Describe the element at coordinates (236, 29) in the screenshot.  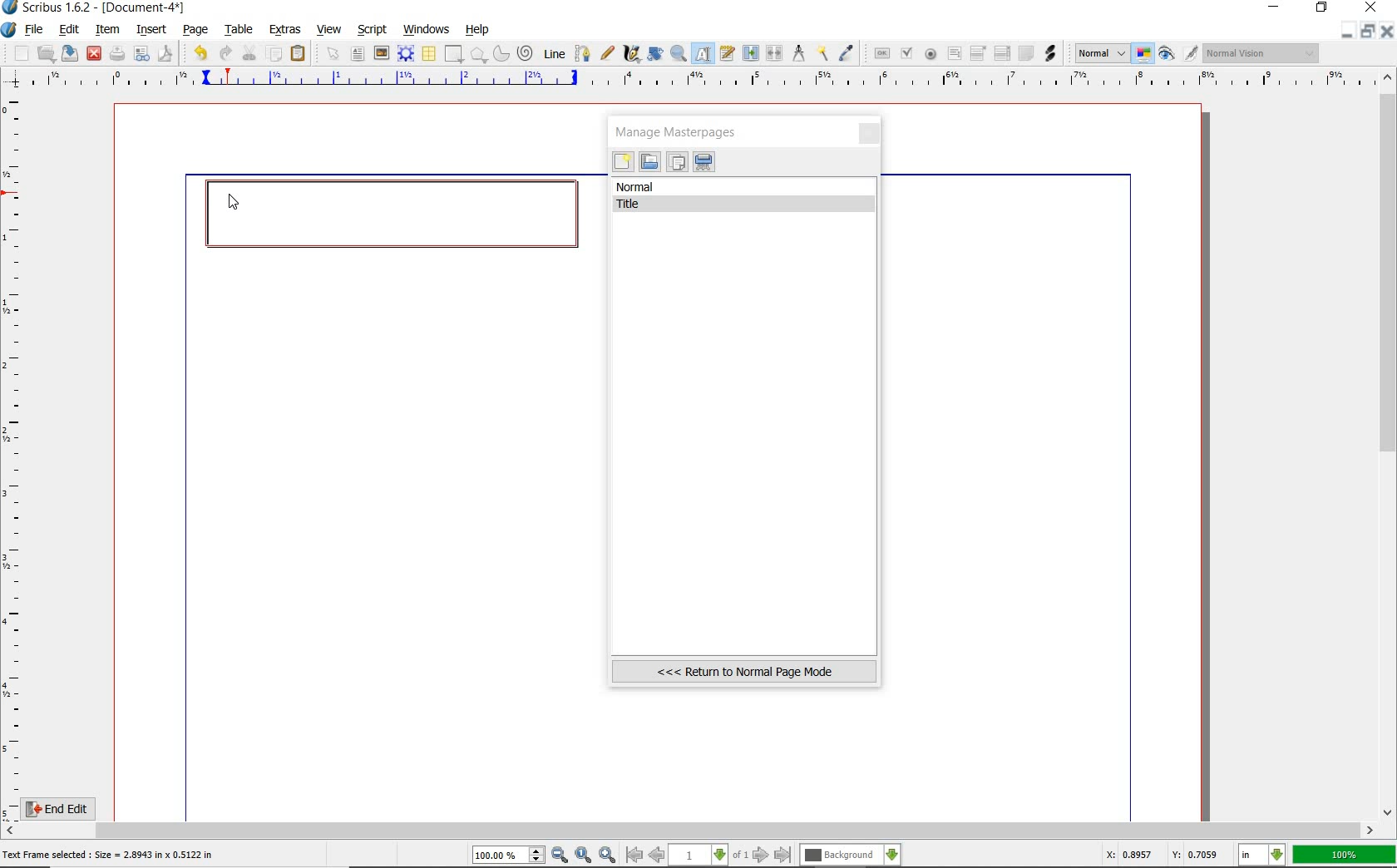
I see `table` at that location.